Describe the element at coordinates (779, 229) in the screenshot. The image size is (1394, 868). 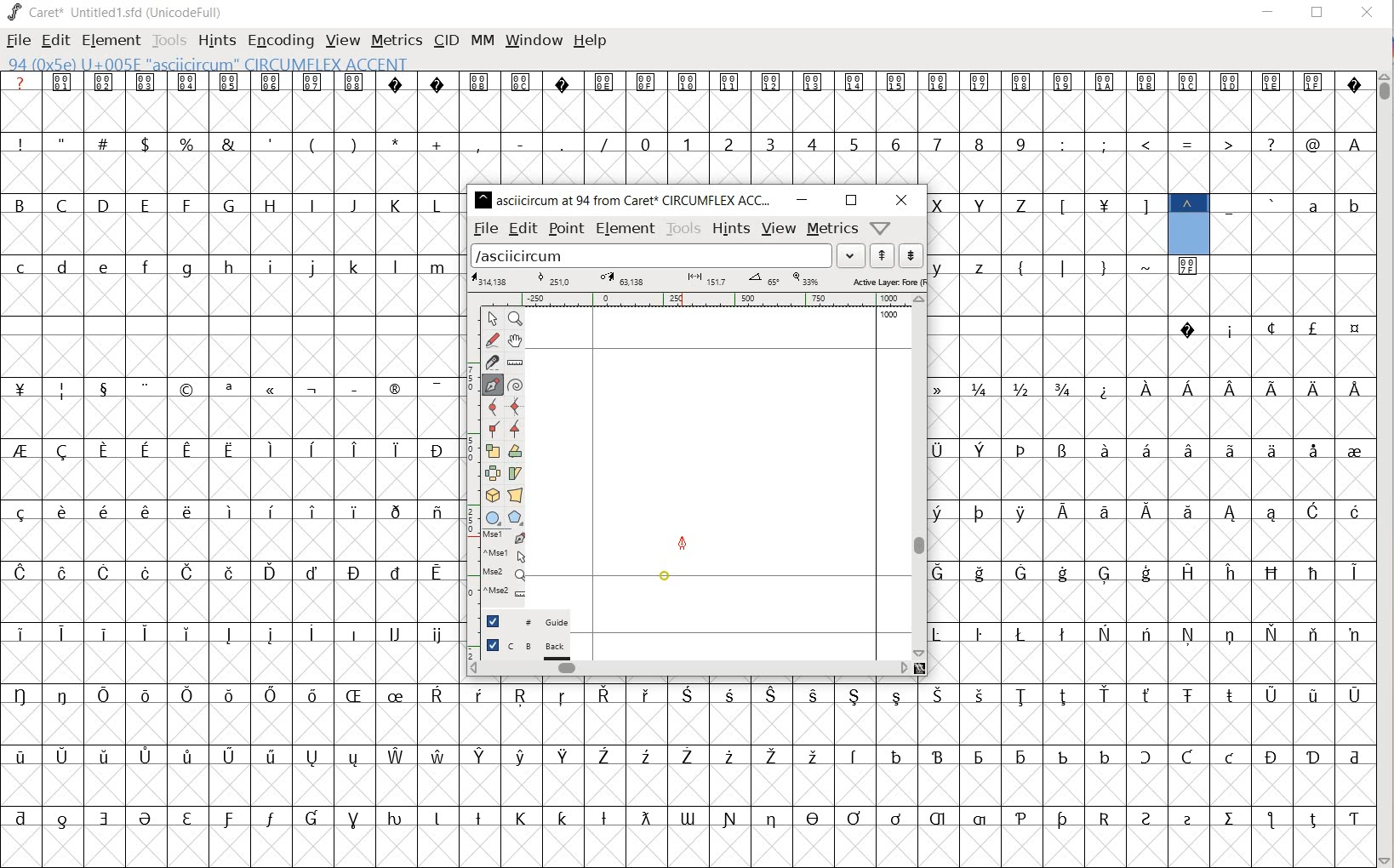
I see `view` at that location.